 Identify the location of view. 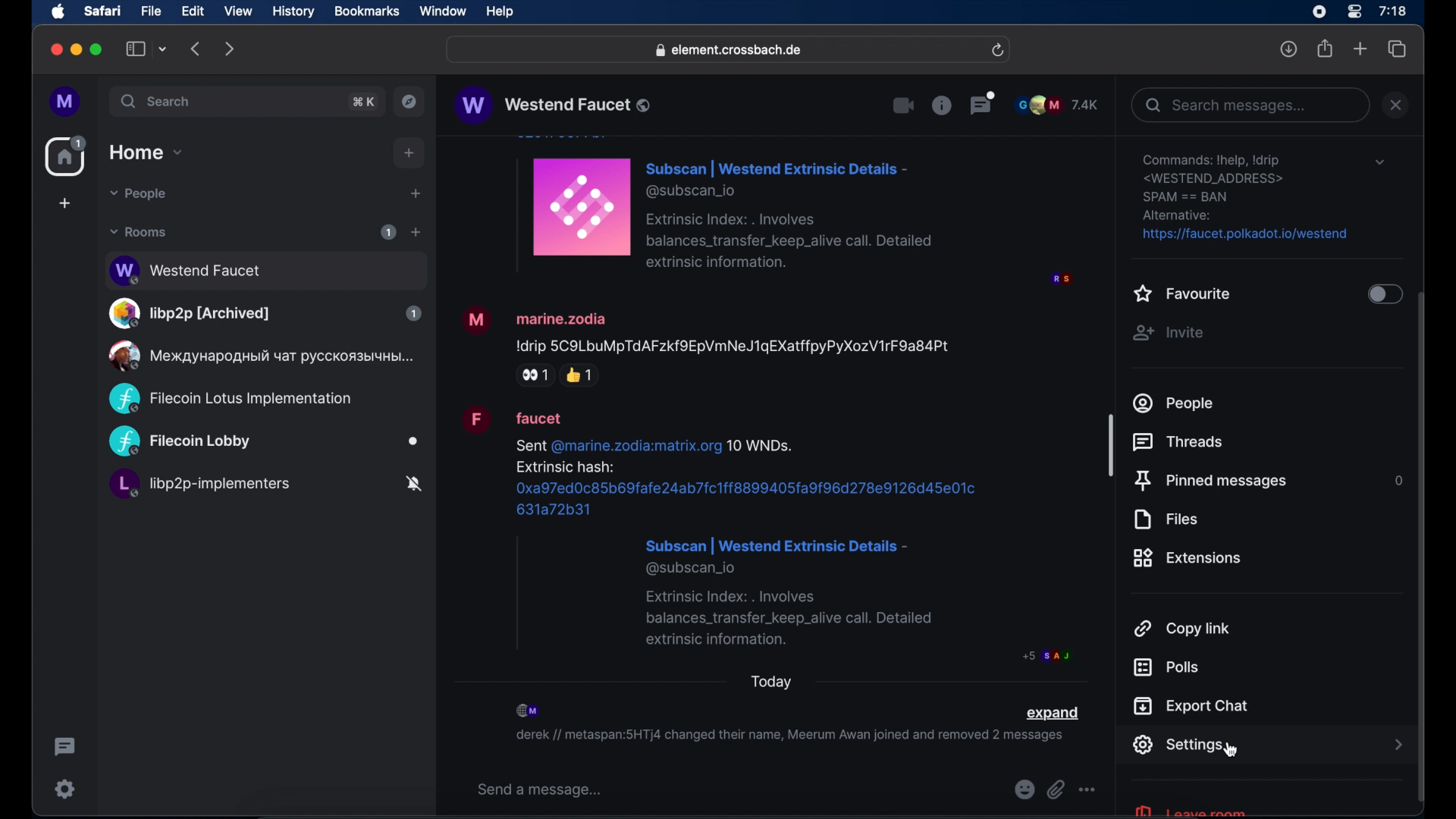
(237, 11).